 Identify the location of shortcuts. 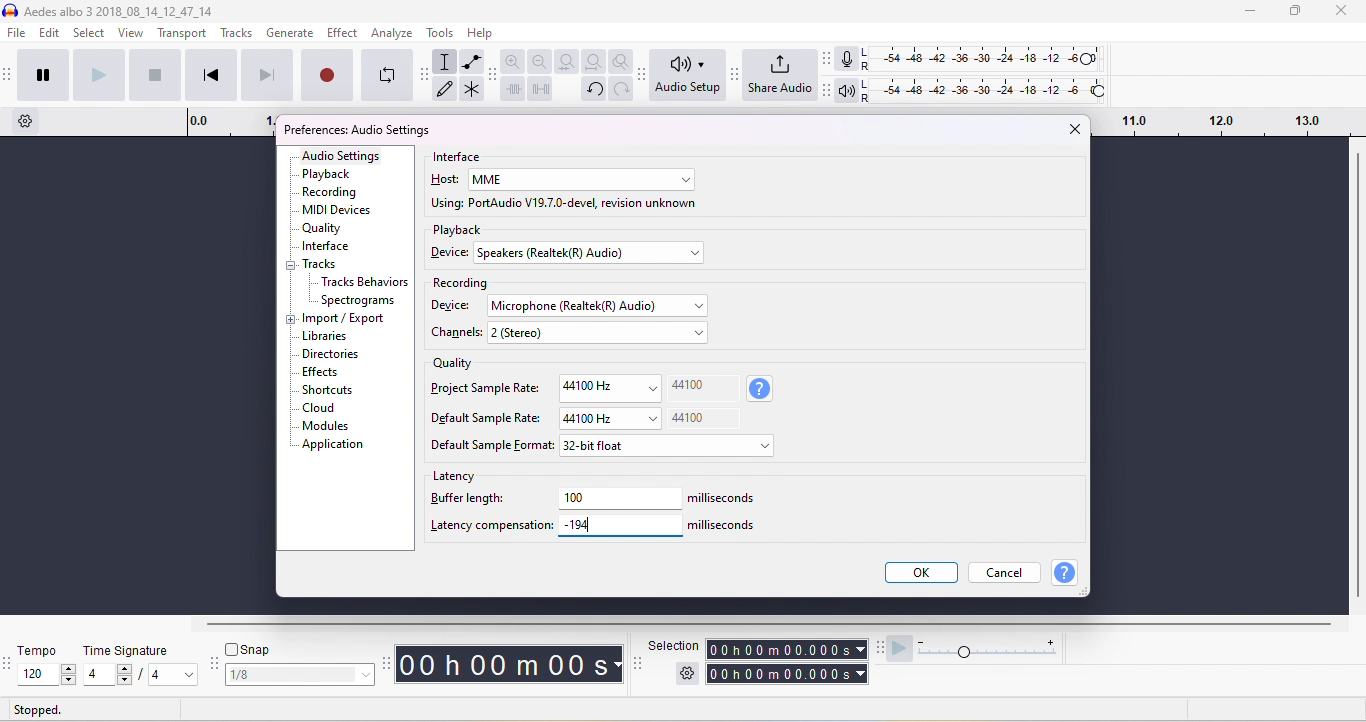
(327, 390).